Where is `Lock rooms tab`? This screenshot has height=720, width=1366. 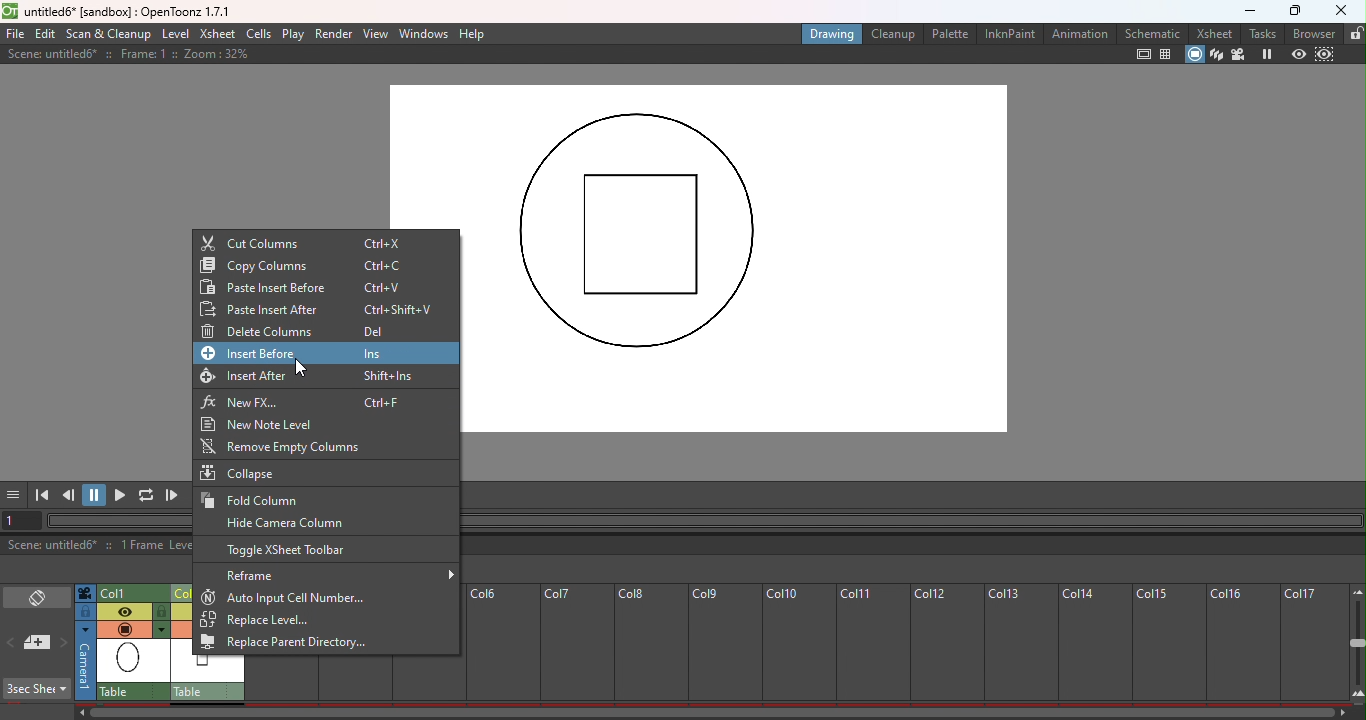
Lock rooms tab is located at coordinates (1353, 34).